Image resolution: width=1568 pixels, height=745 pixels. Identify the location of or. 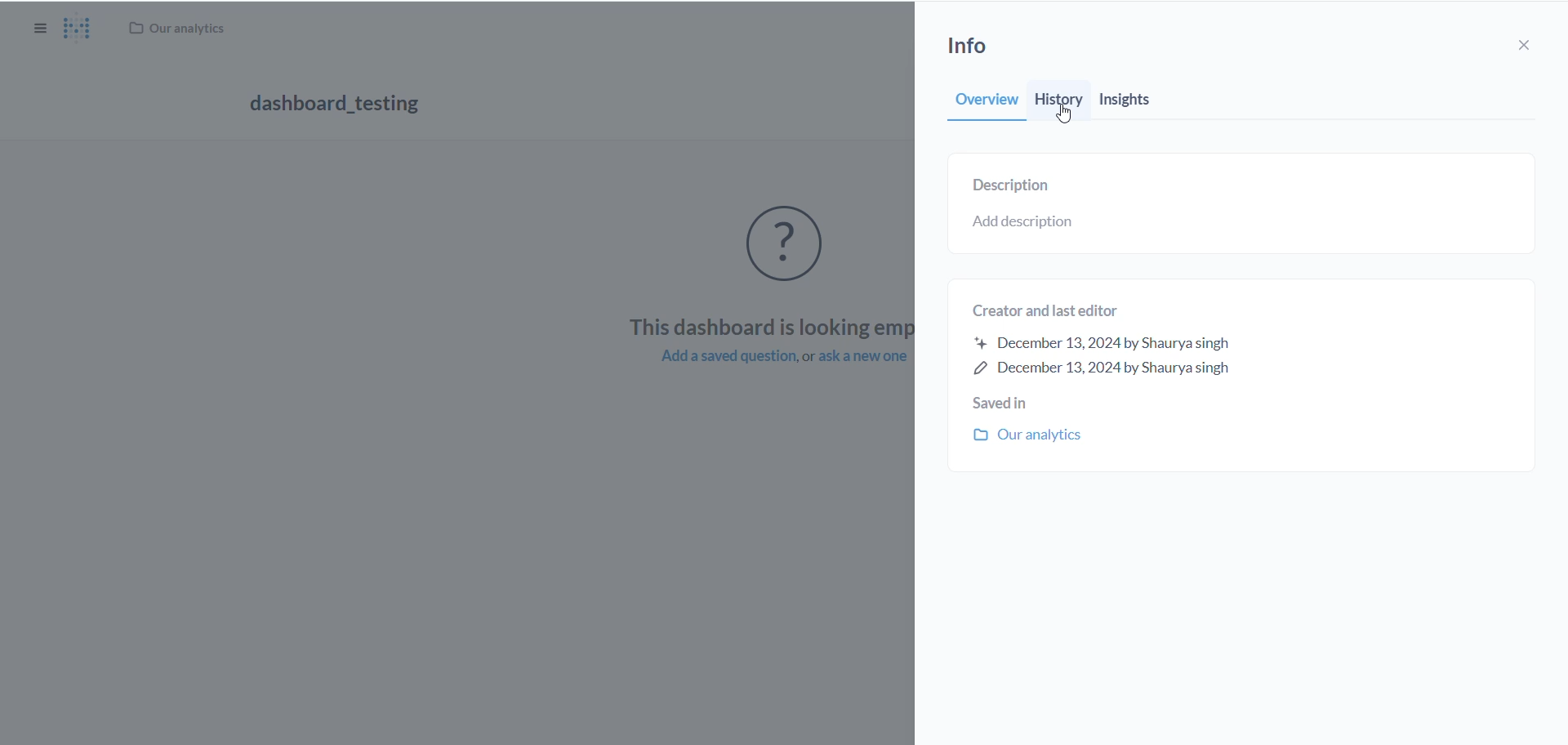
(808, 358).